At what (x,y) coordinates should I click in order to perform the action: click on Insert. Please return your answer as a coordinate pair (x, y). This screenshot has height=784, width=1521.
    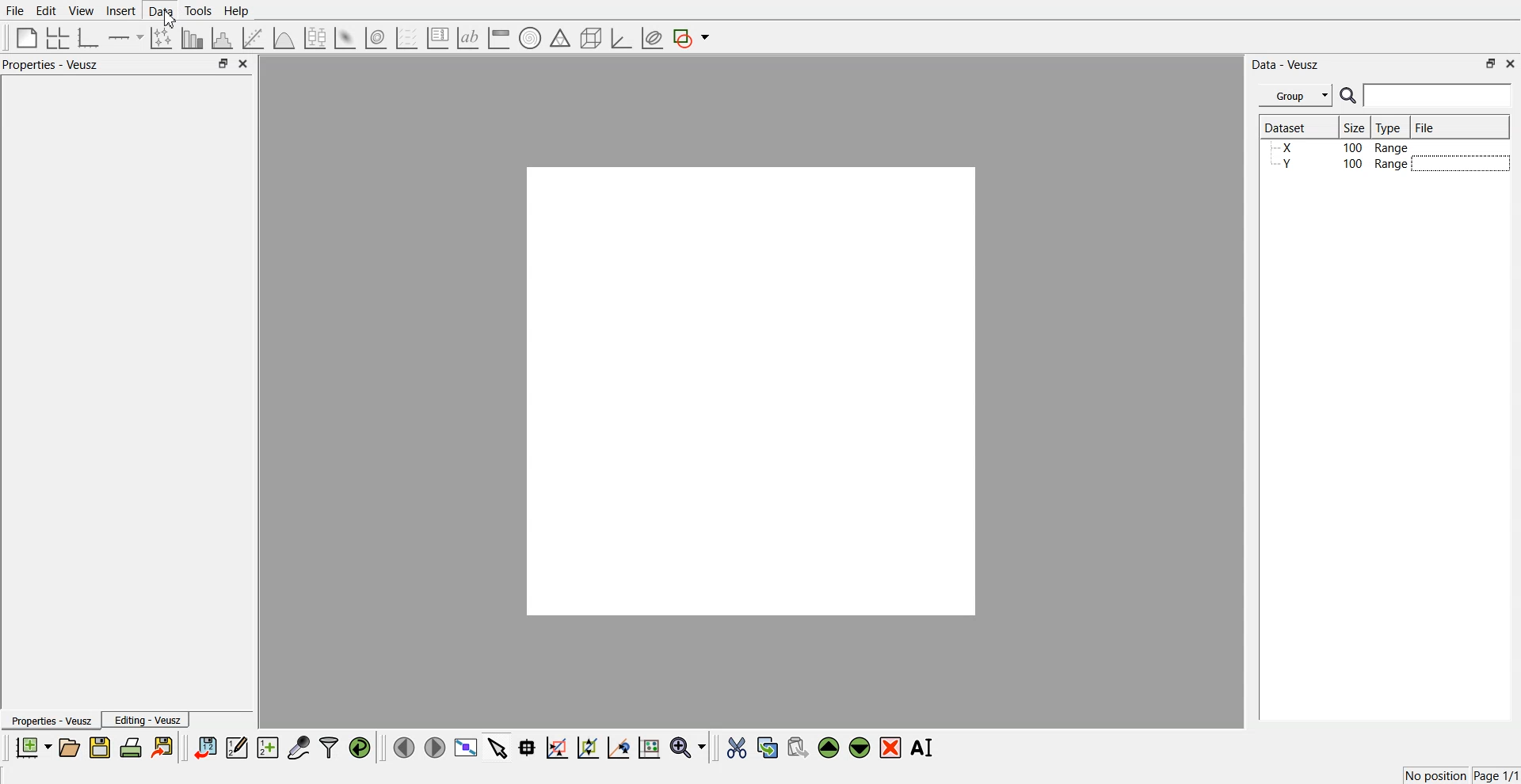
    Looking at the image, I should click on (120, 10).